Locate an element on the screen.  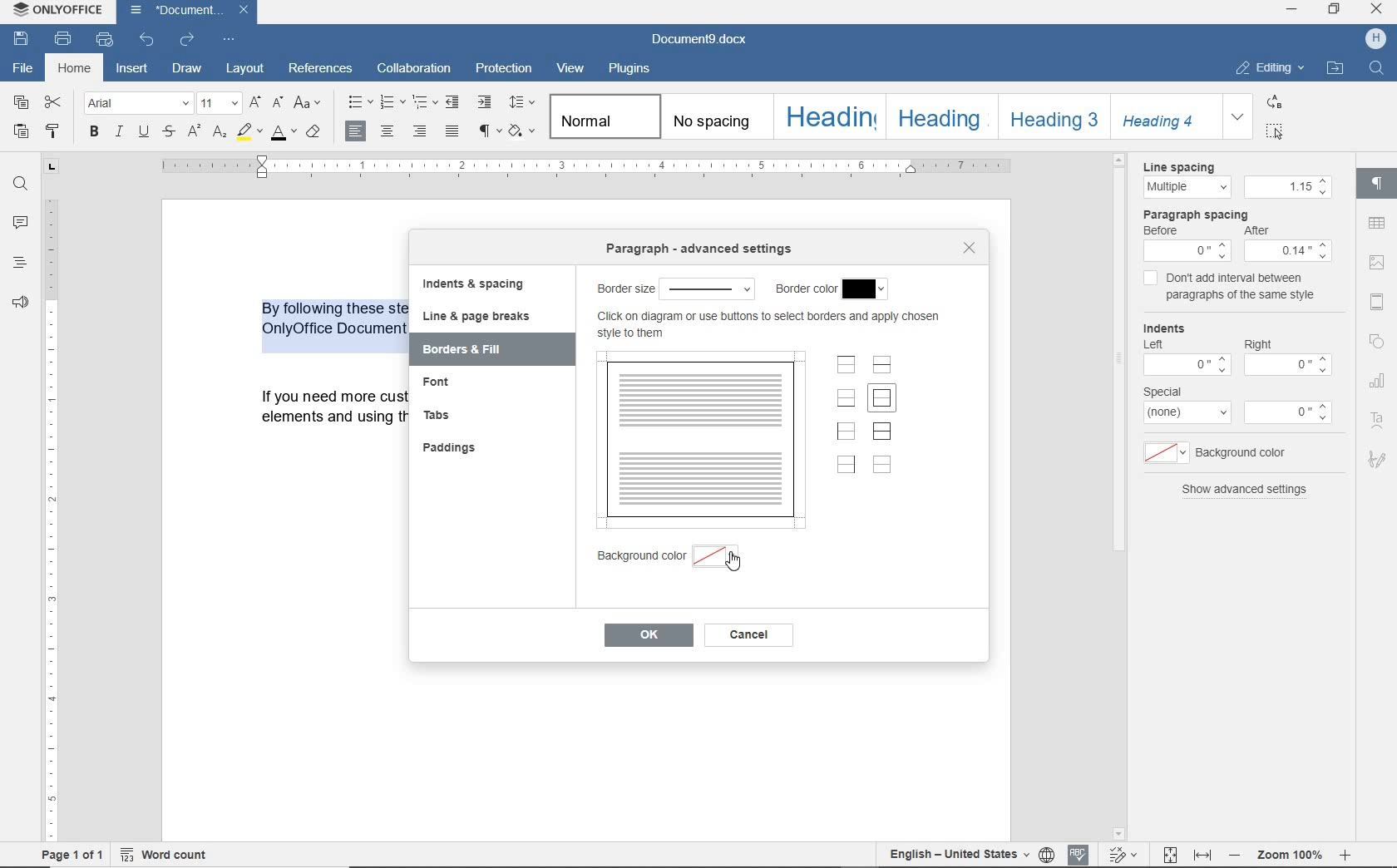
set right border only is located at coordinates (845, 466).